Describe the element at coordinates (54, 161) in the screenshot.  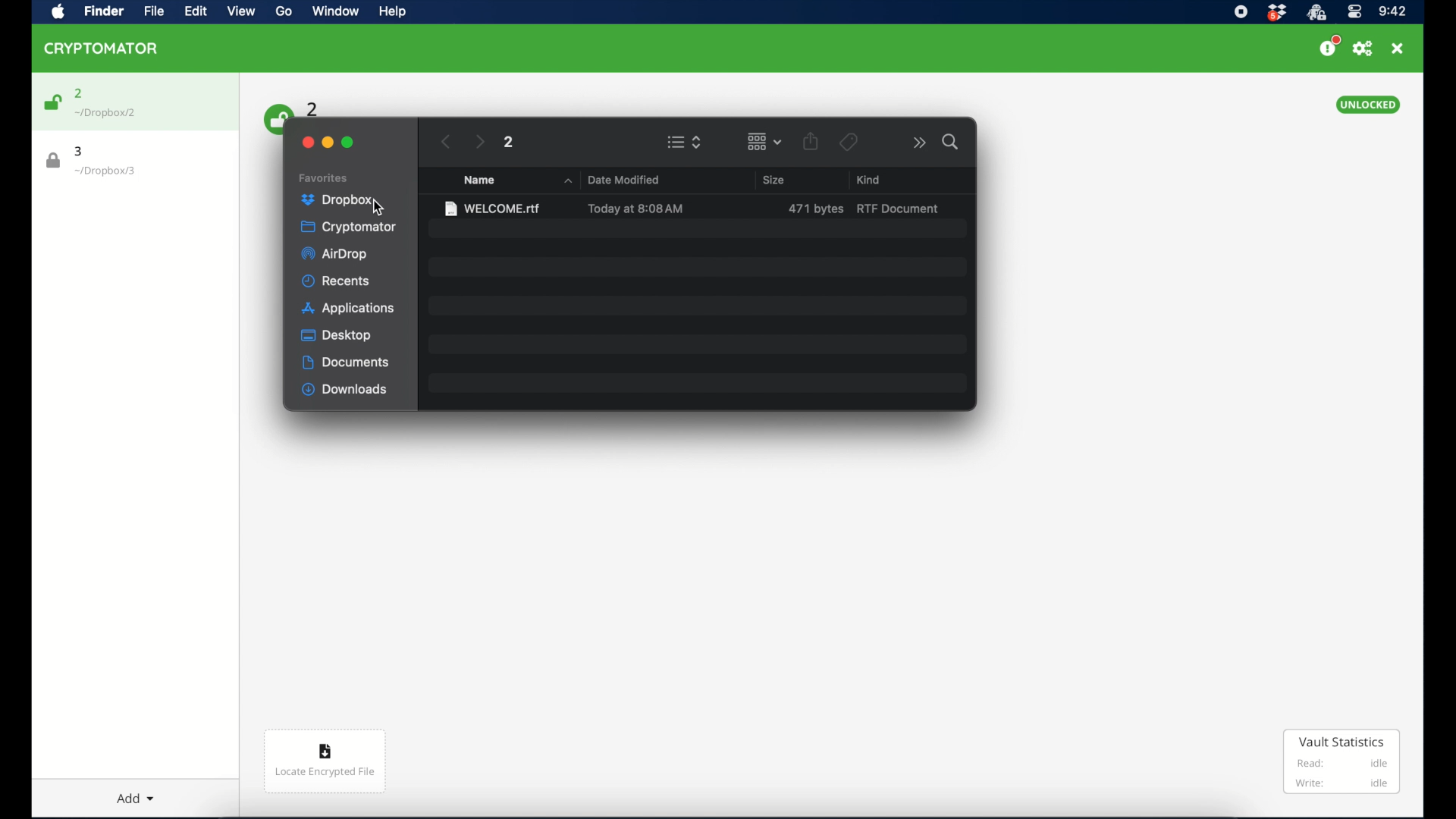
I see `lock icon` at that location.